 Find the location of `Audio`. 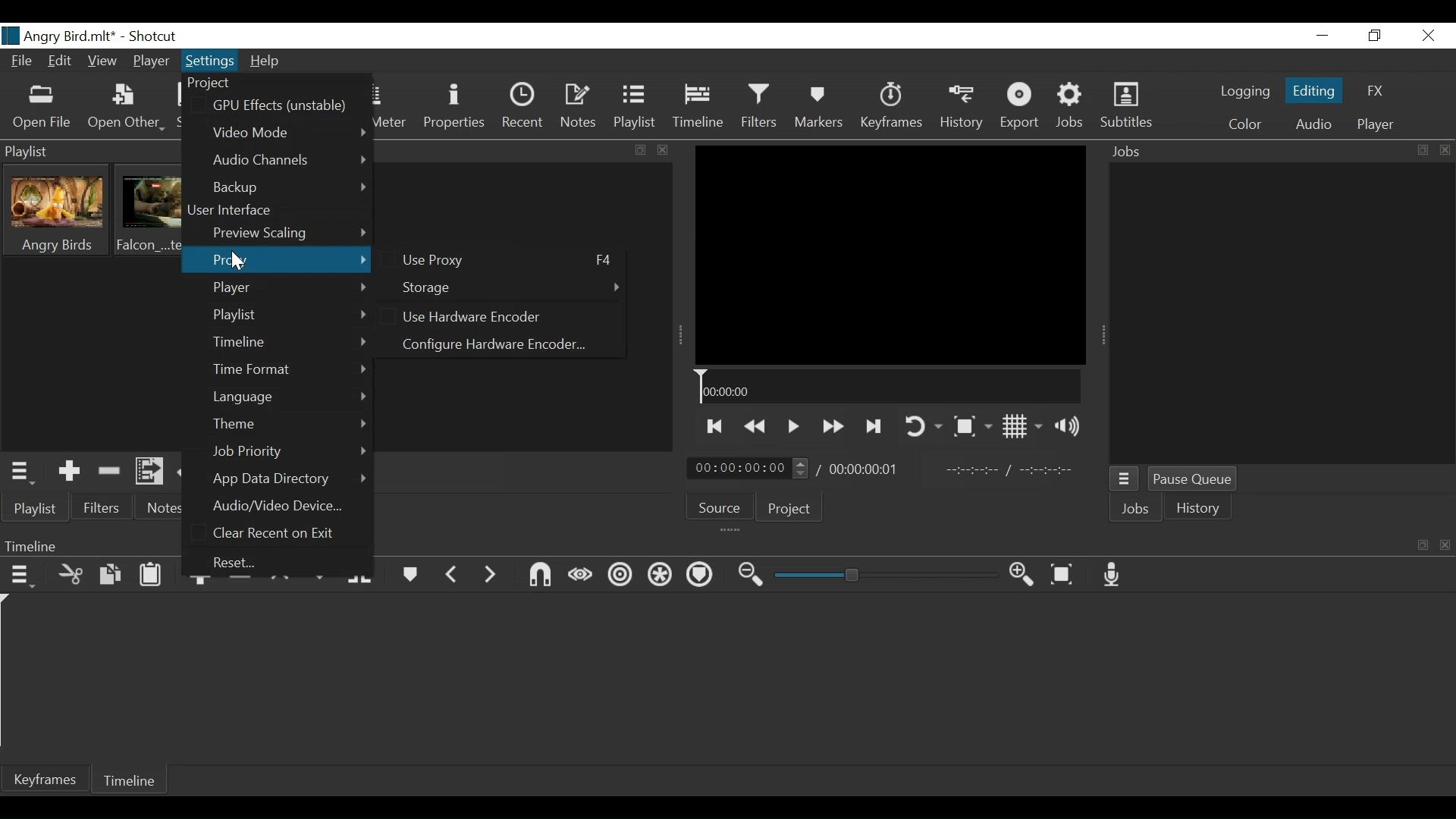

Audio is located at coordinates (1316, 124).